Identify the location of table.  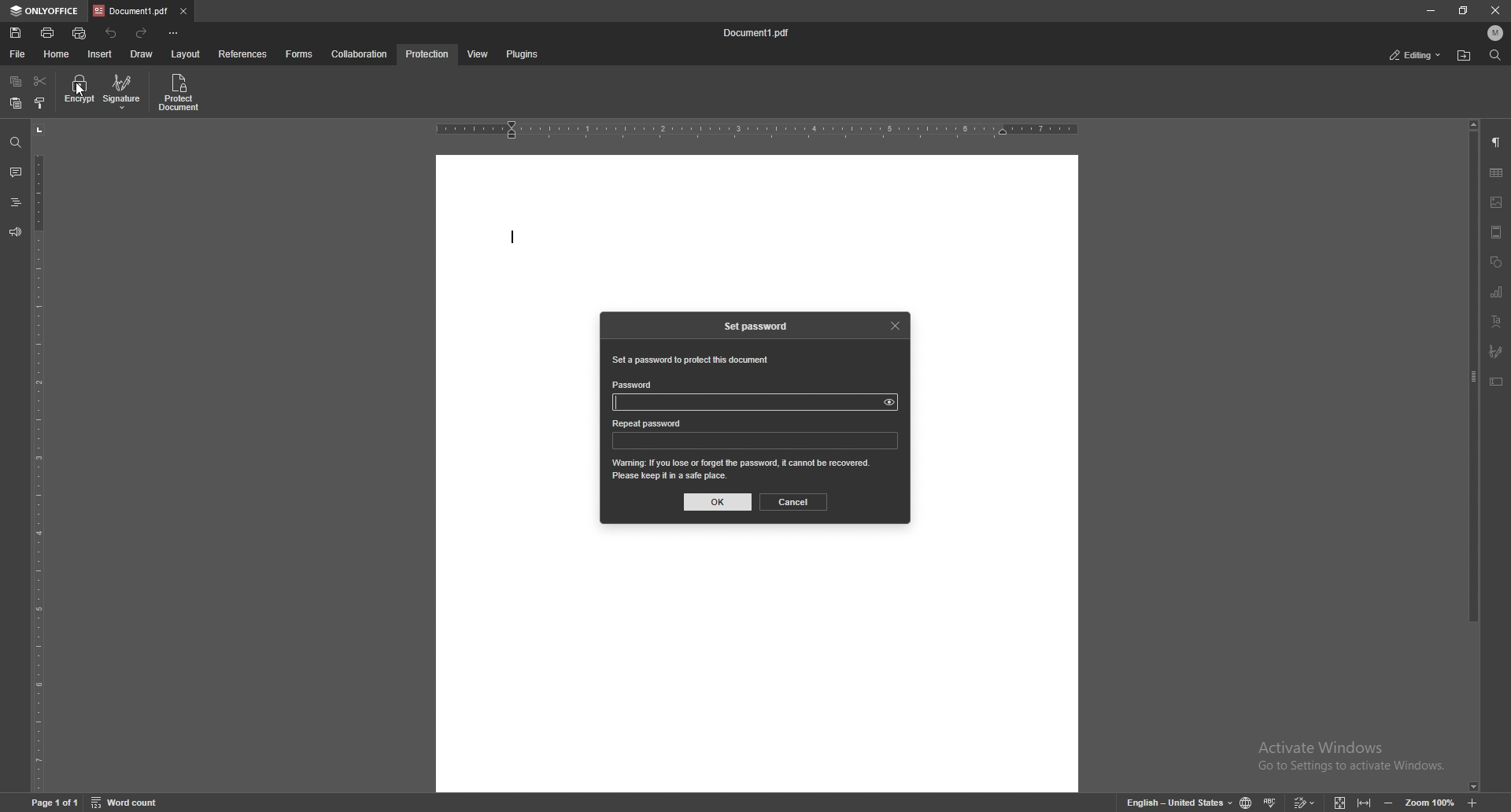
(1498, 174).